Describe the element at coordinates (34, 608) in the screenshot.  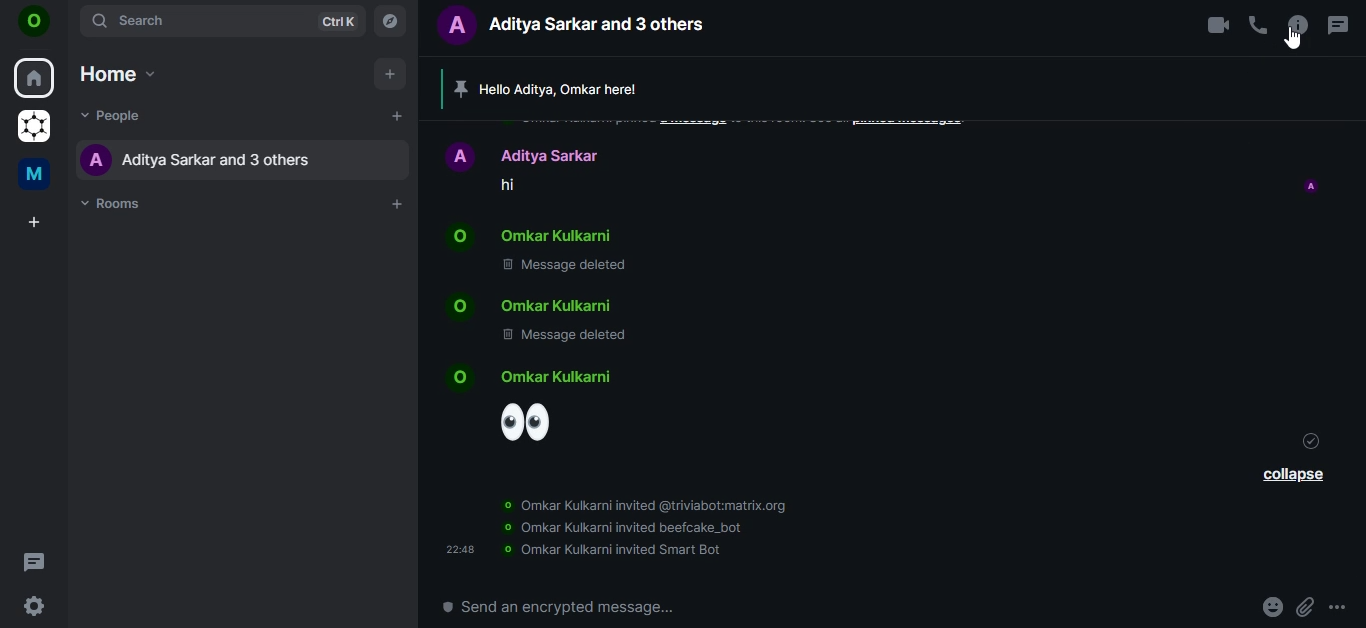
I see `quick settings` at that location.